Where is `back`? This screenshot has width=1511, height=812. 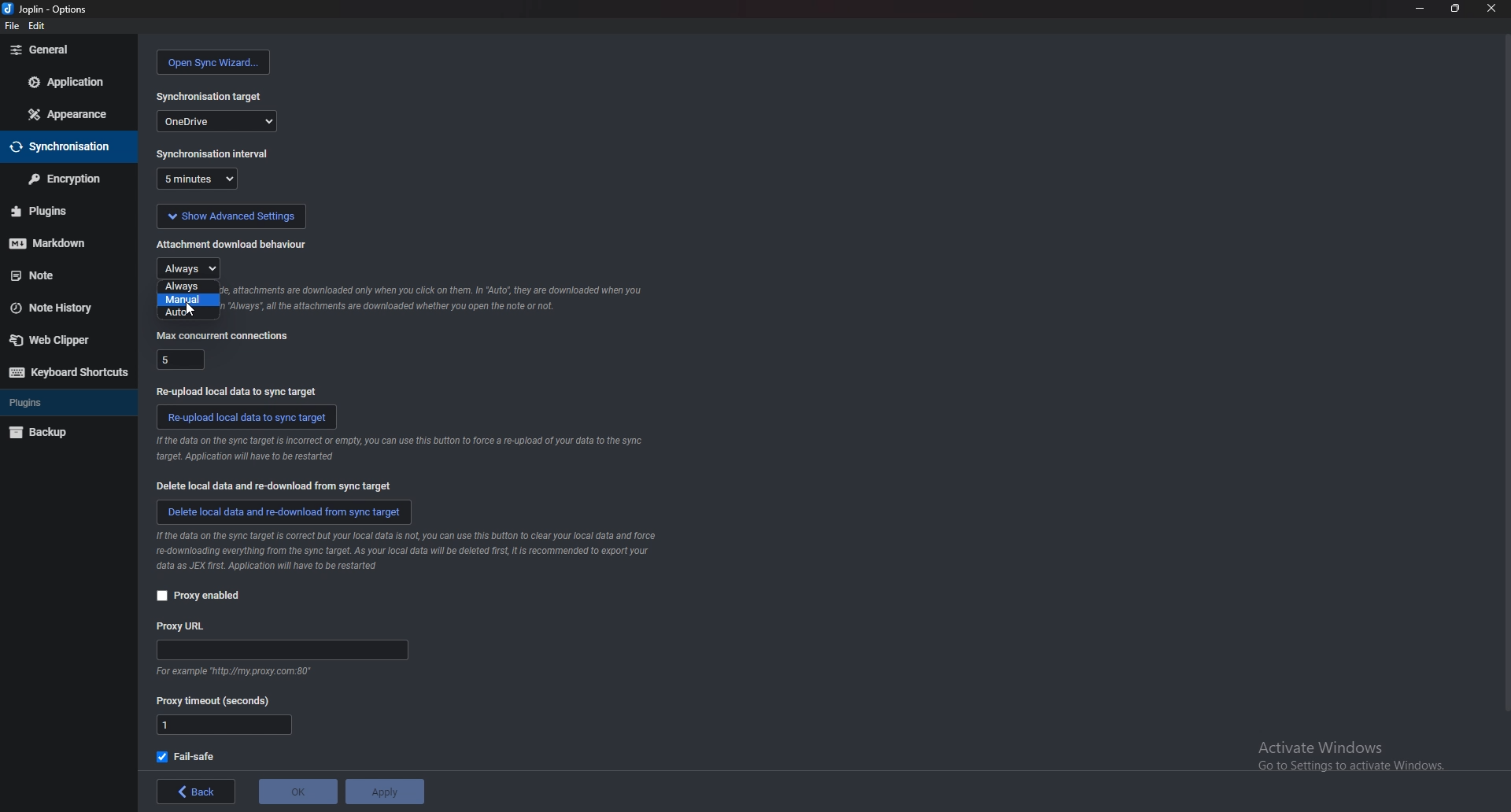 back is located at coordinates (195, 792).